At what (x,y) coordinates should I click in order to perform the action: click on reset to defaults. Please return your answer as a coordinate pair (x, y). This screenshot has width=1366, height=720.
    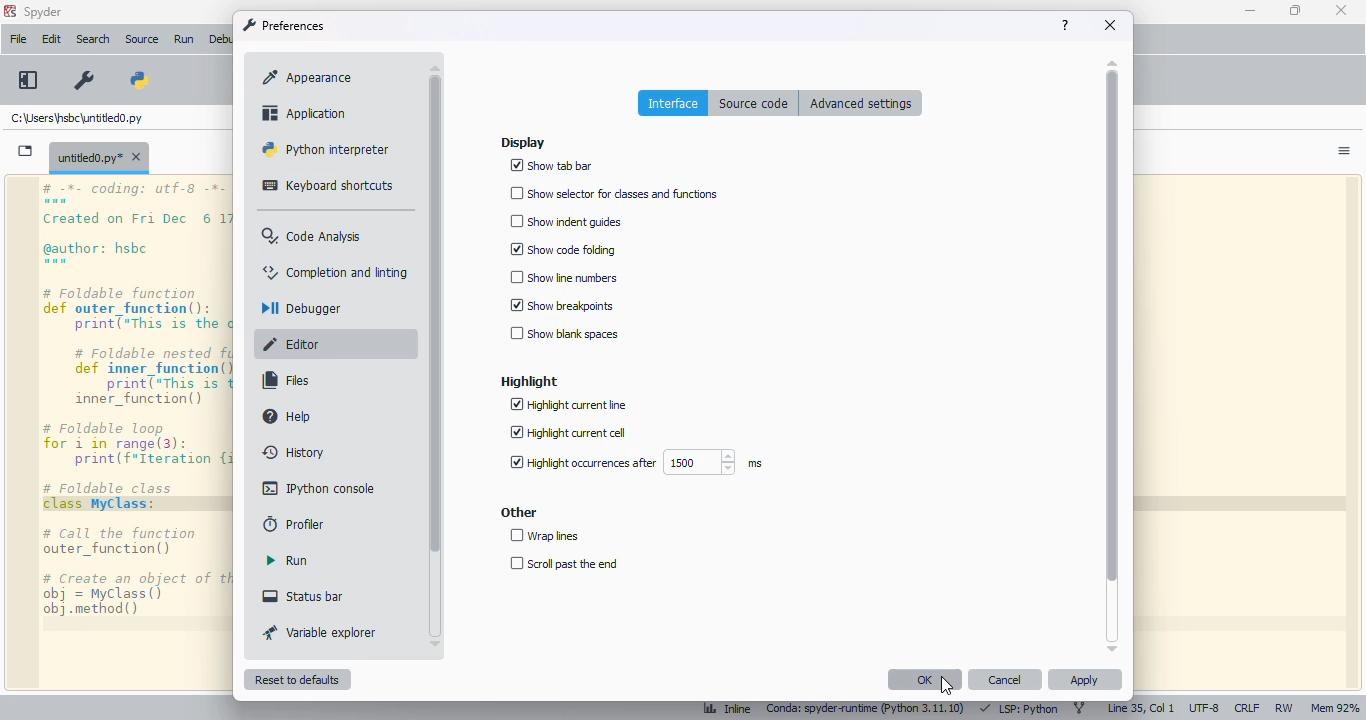
    Looking at the image, I should click on (298, 679).